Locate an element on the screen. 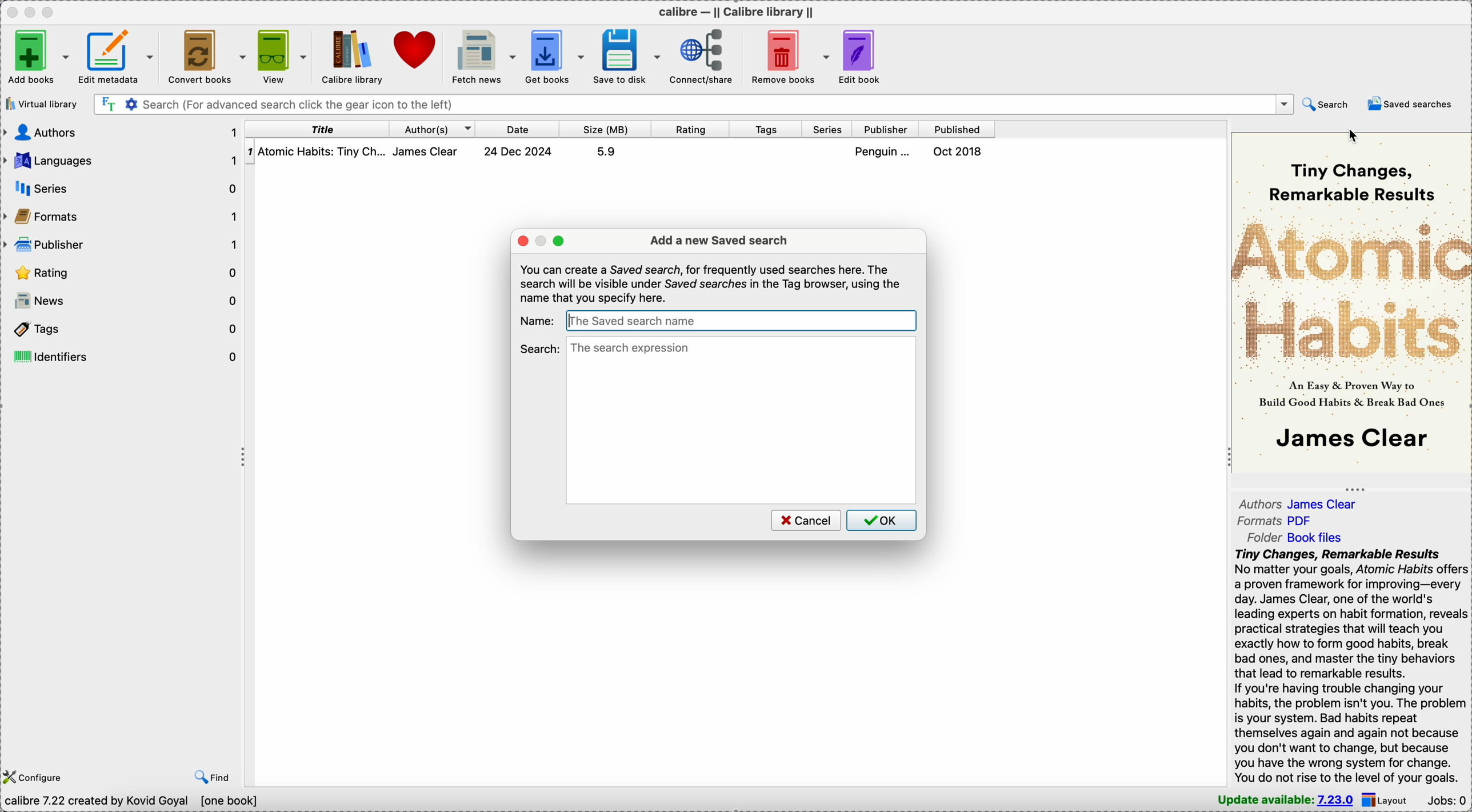 This screenshot has width=1472, height=812. james clear is located at coordinates (432, 151).